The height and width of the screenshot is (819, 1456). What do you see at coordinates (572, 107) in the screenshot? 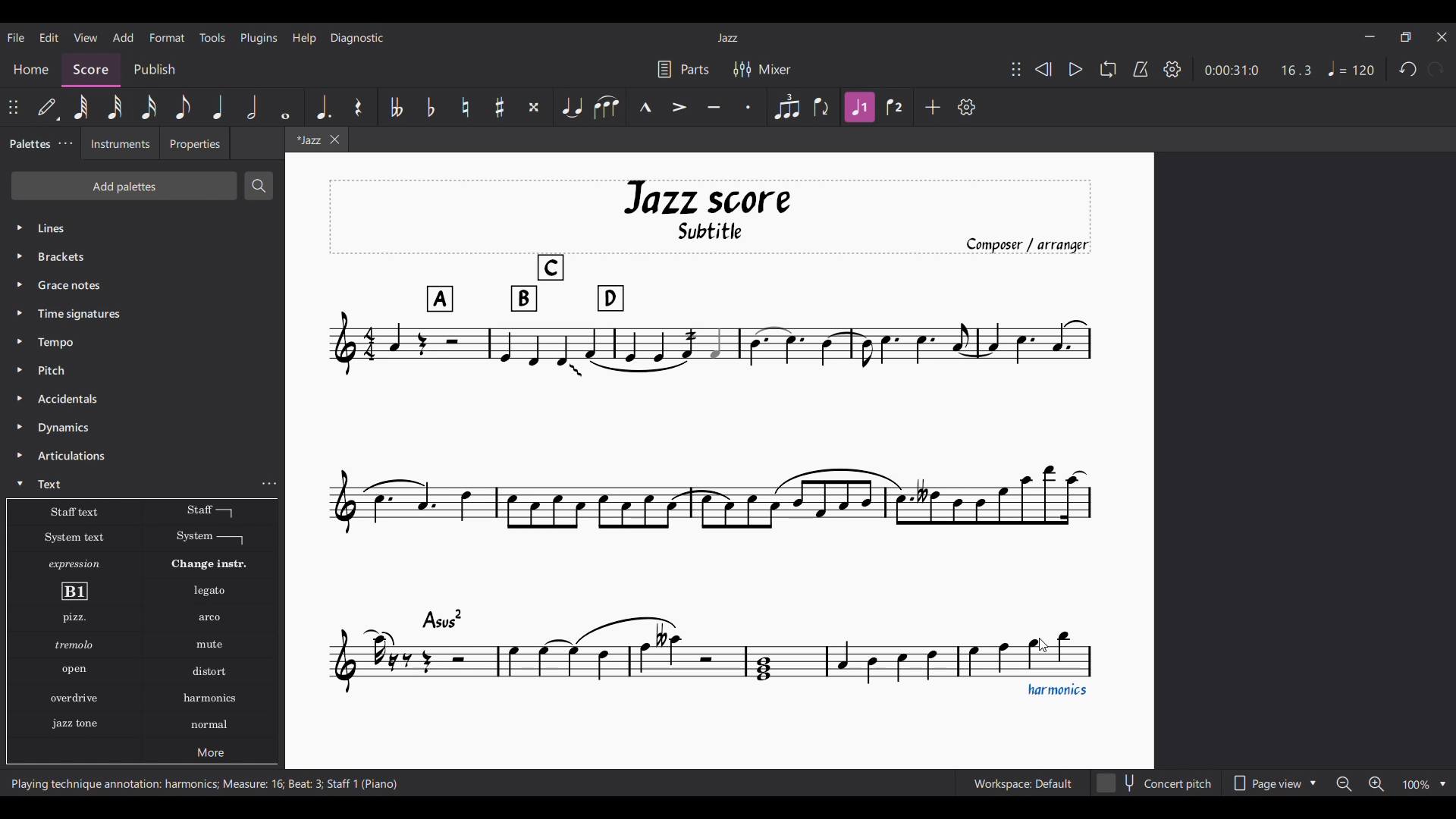
I see `Tie` at bounding box center [572, 107].